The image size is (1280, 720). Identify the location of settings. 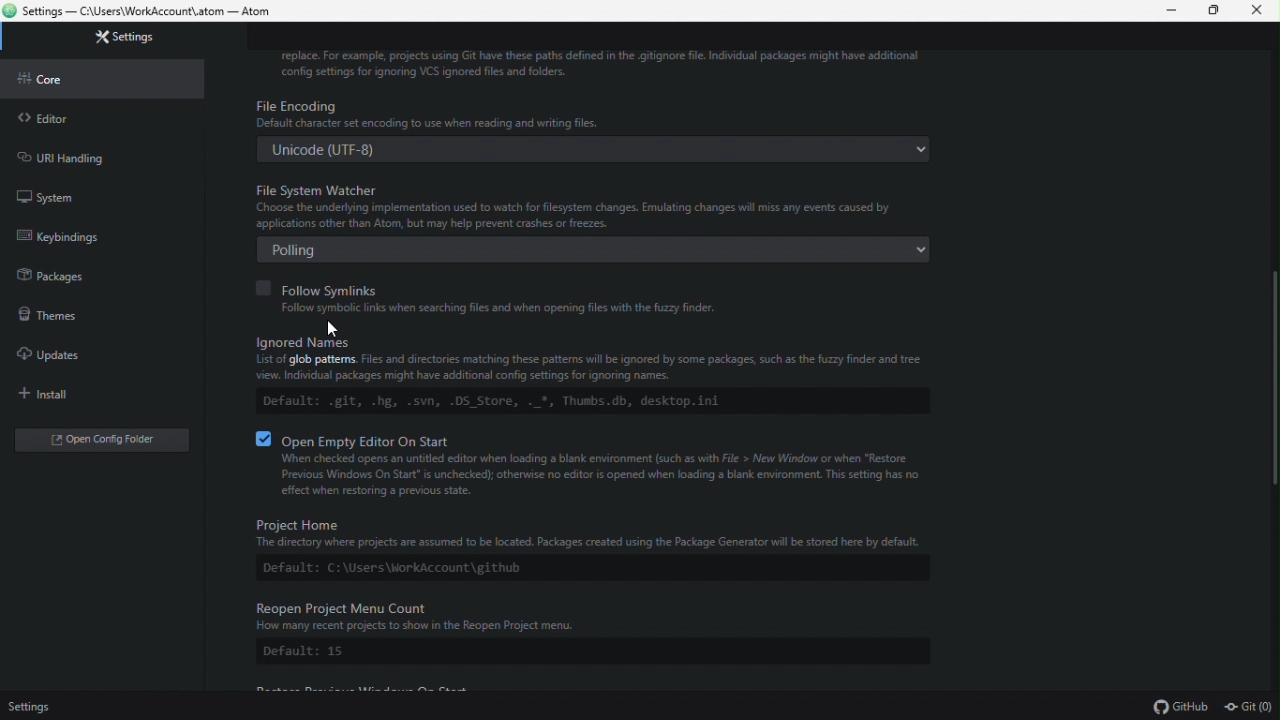
(29, 708).